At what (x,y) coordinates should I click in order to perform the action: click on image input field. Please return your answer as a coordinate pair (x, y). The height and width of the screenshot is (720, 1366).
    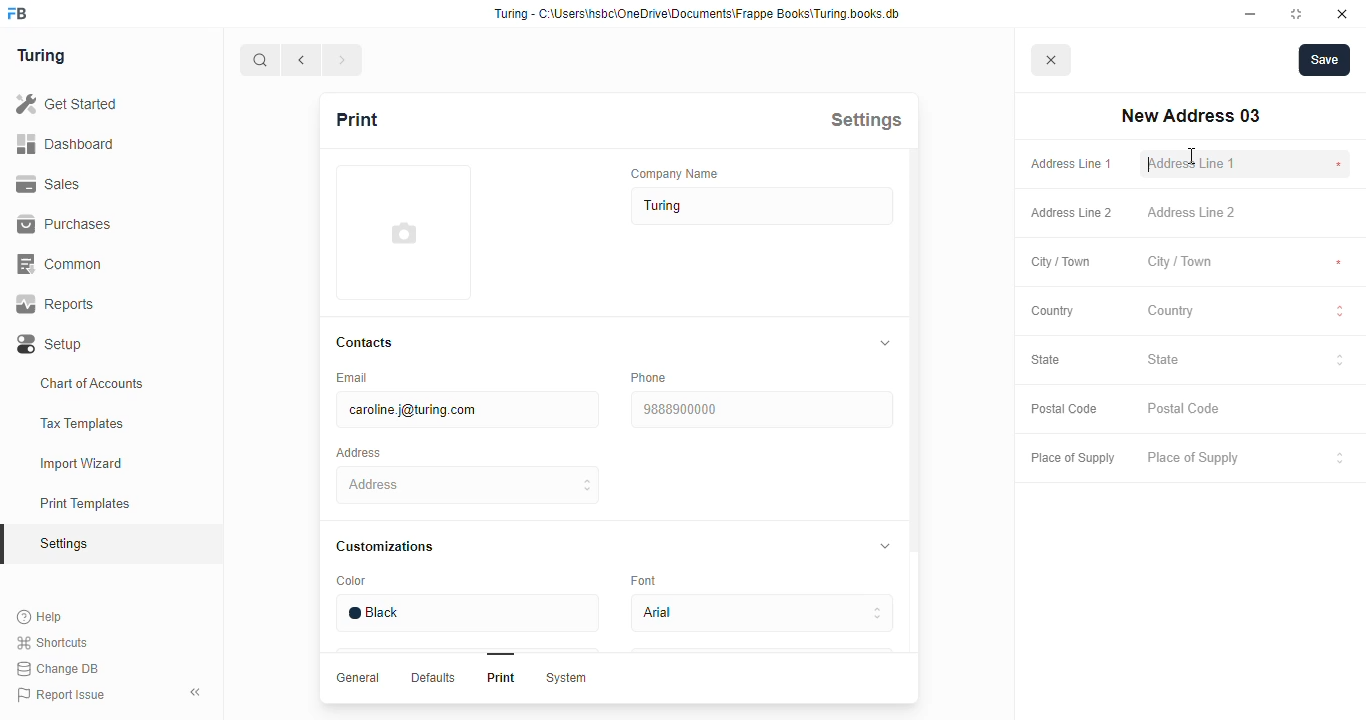
    Looking at the image, I should click on (401, 232).